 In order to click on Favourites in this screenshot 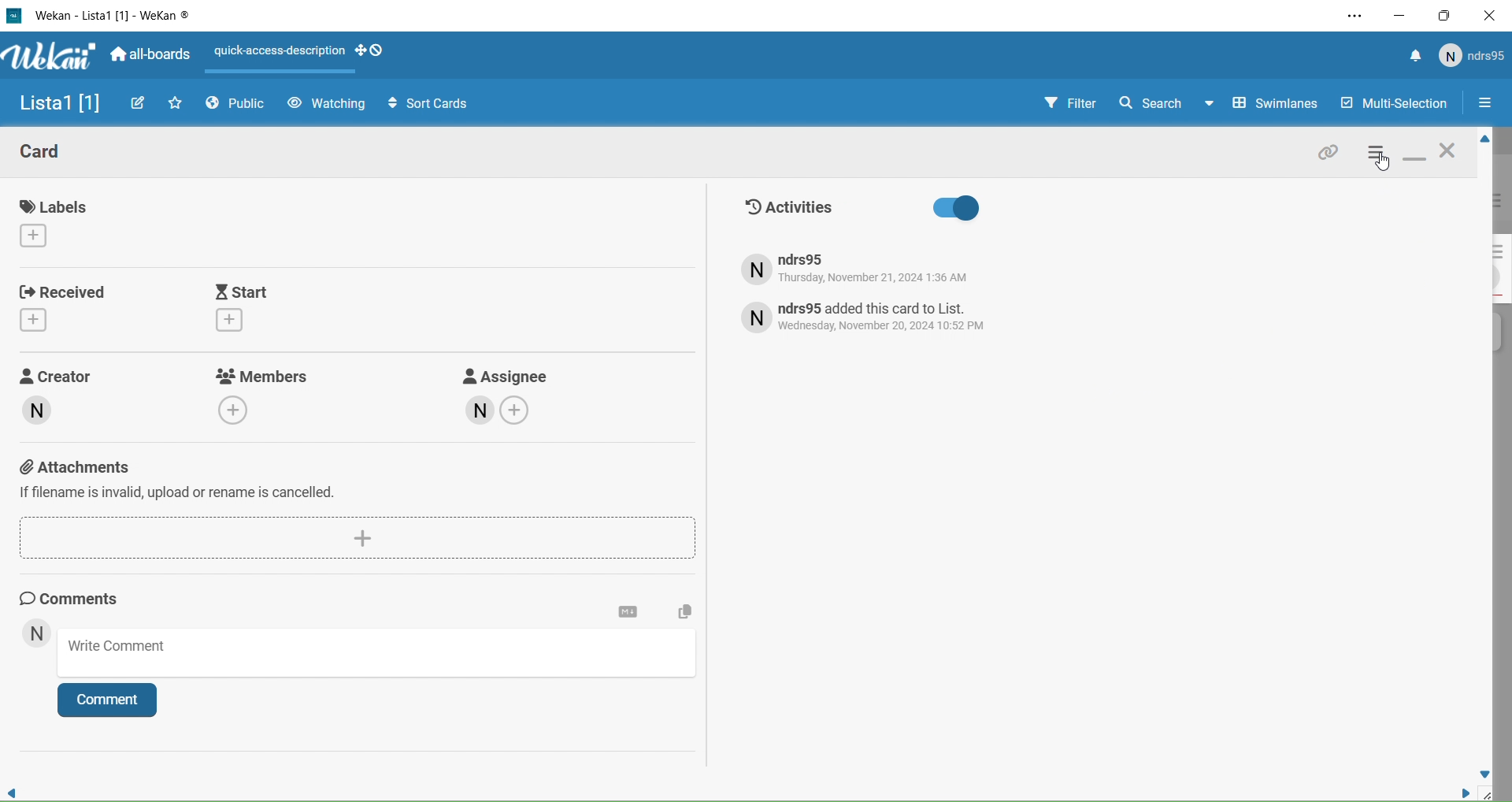, I will do `click(176, 106)`.